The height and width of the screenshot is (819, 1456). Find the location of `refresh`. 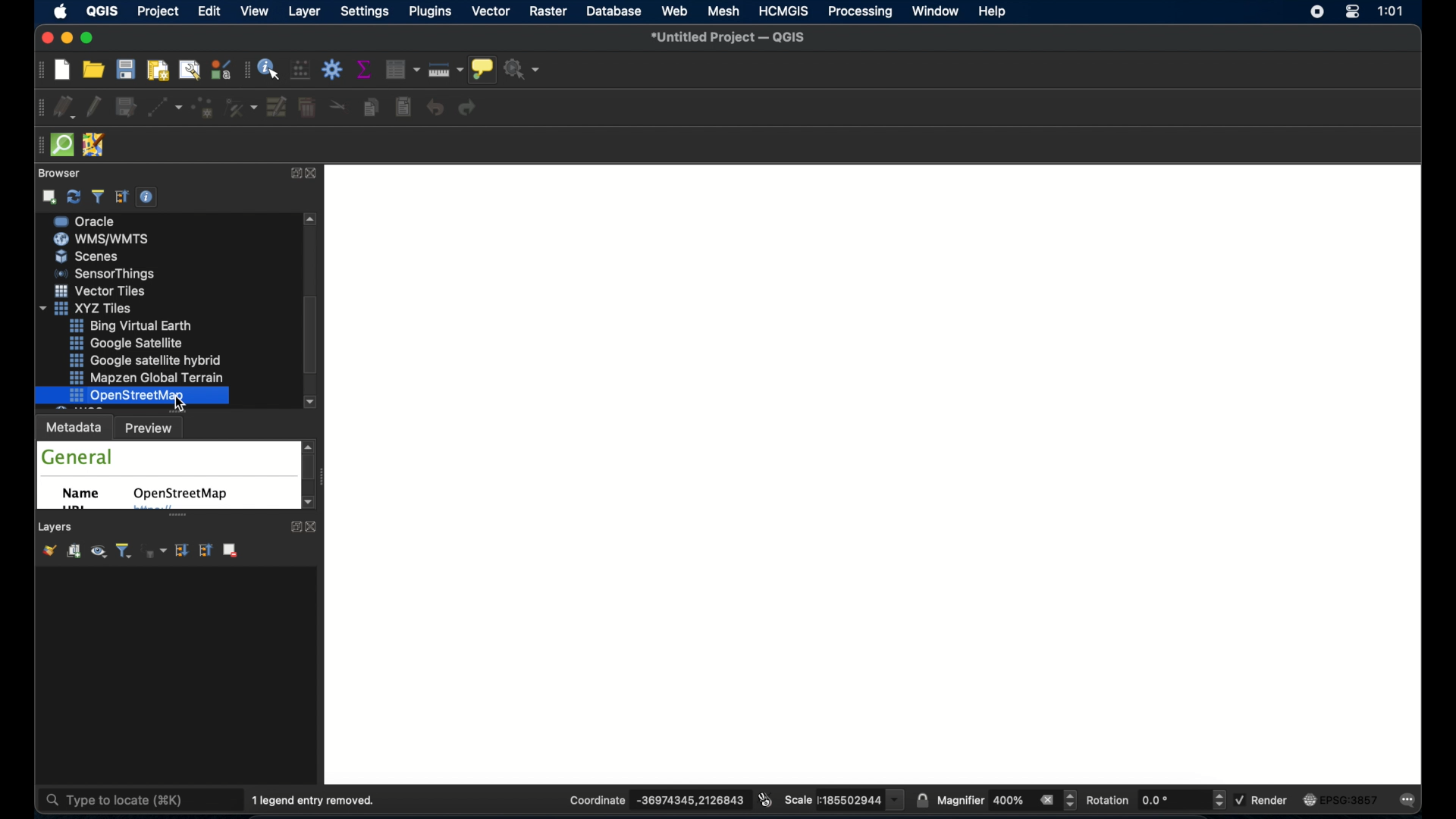

refresh is located at coordinates (75, 197).